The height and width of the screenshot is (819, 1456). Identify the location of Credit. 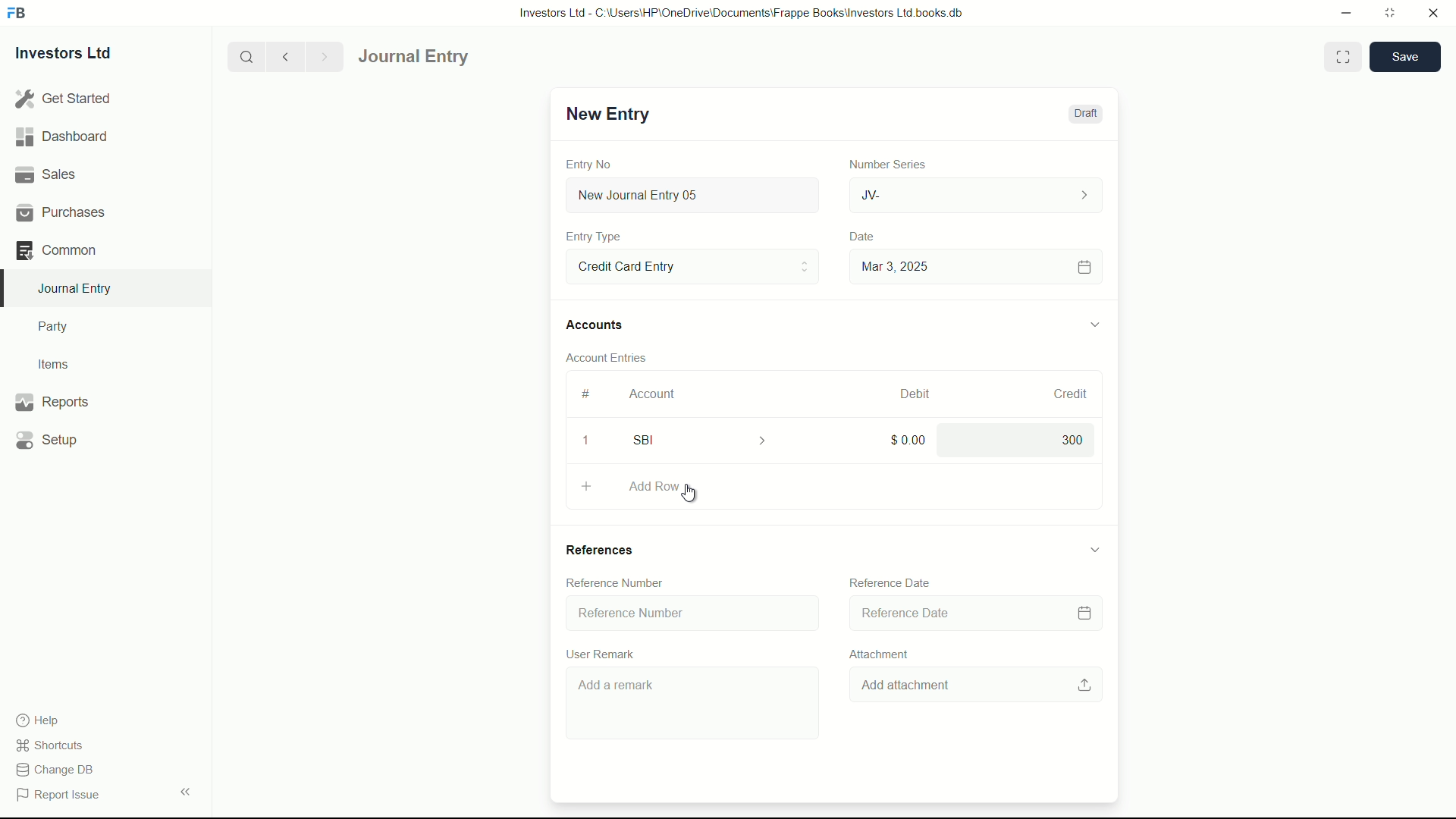
(1064, 394).